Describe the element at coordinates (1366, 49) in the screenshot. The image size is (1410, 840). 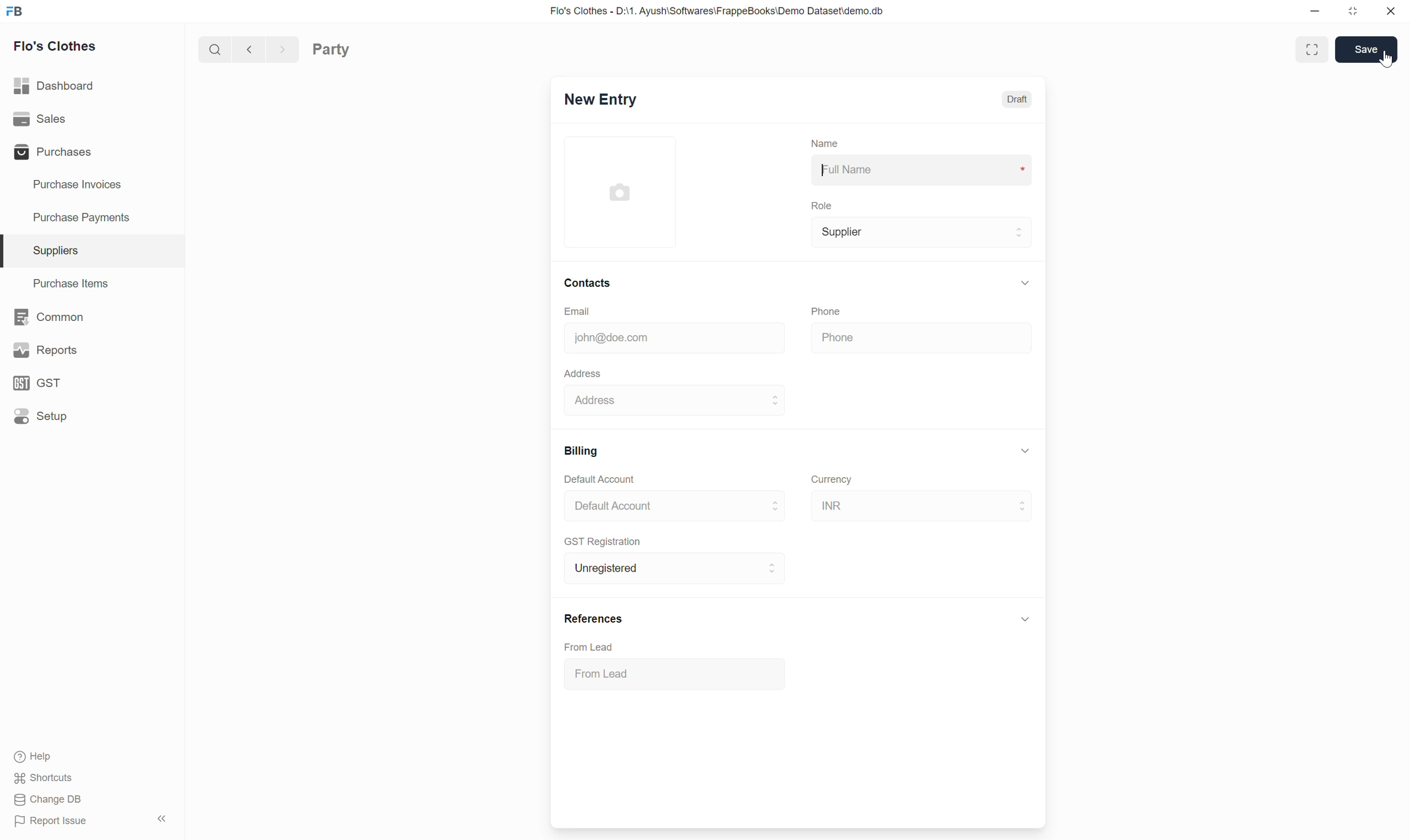
I see `Save` at that location.